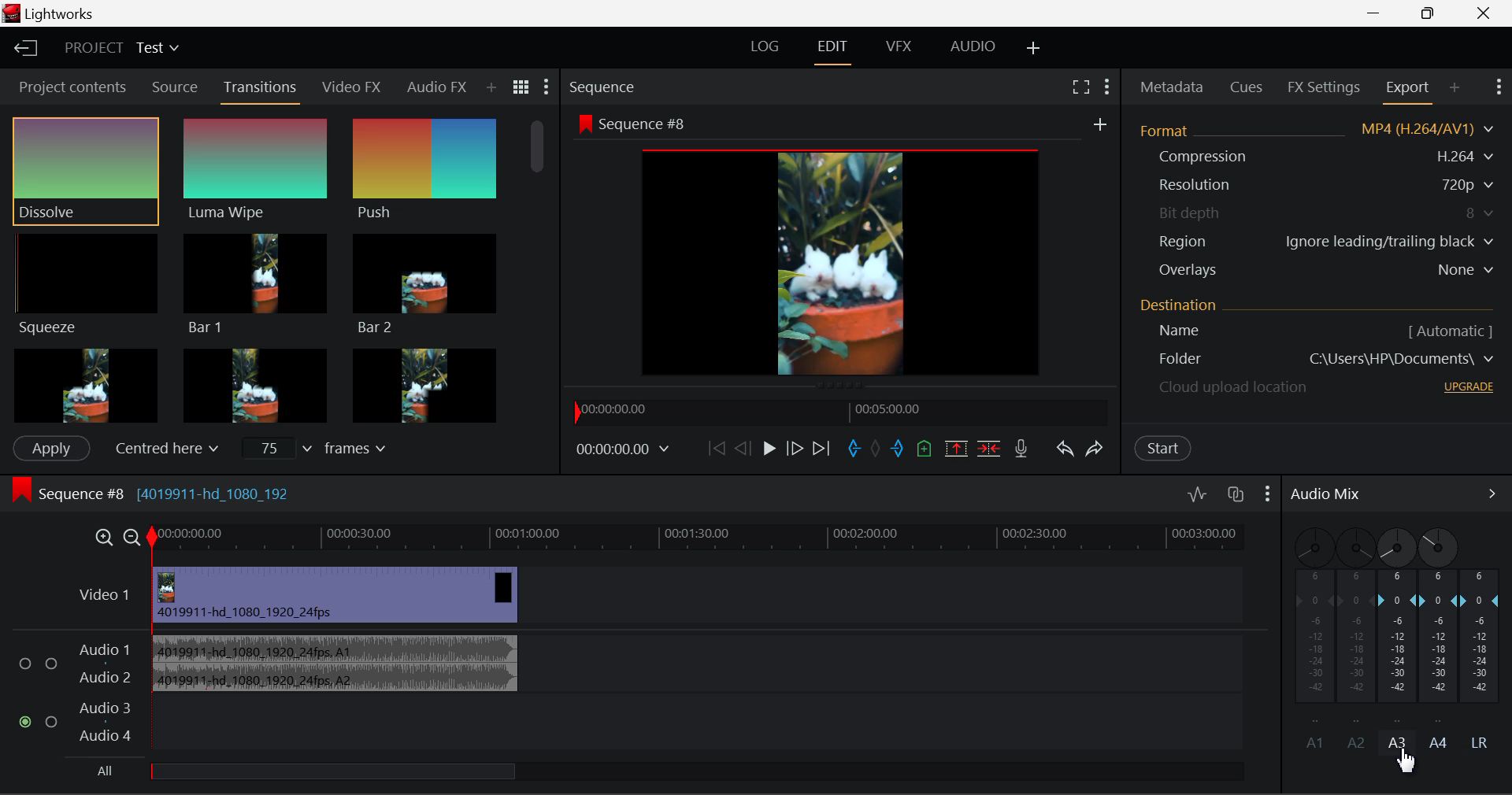  What do you see at coordinates (1021, 448) in the screenshot?
I see `Record Voiceover` at bounding box center [1021, 448].